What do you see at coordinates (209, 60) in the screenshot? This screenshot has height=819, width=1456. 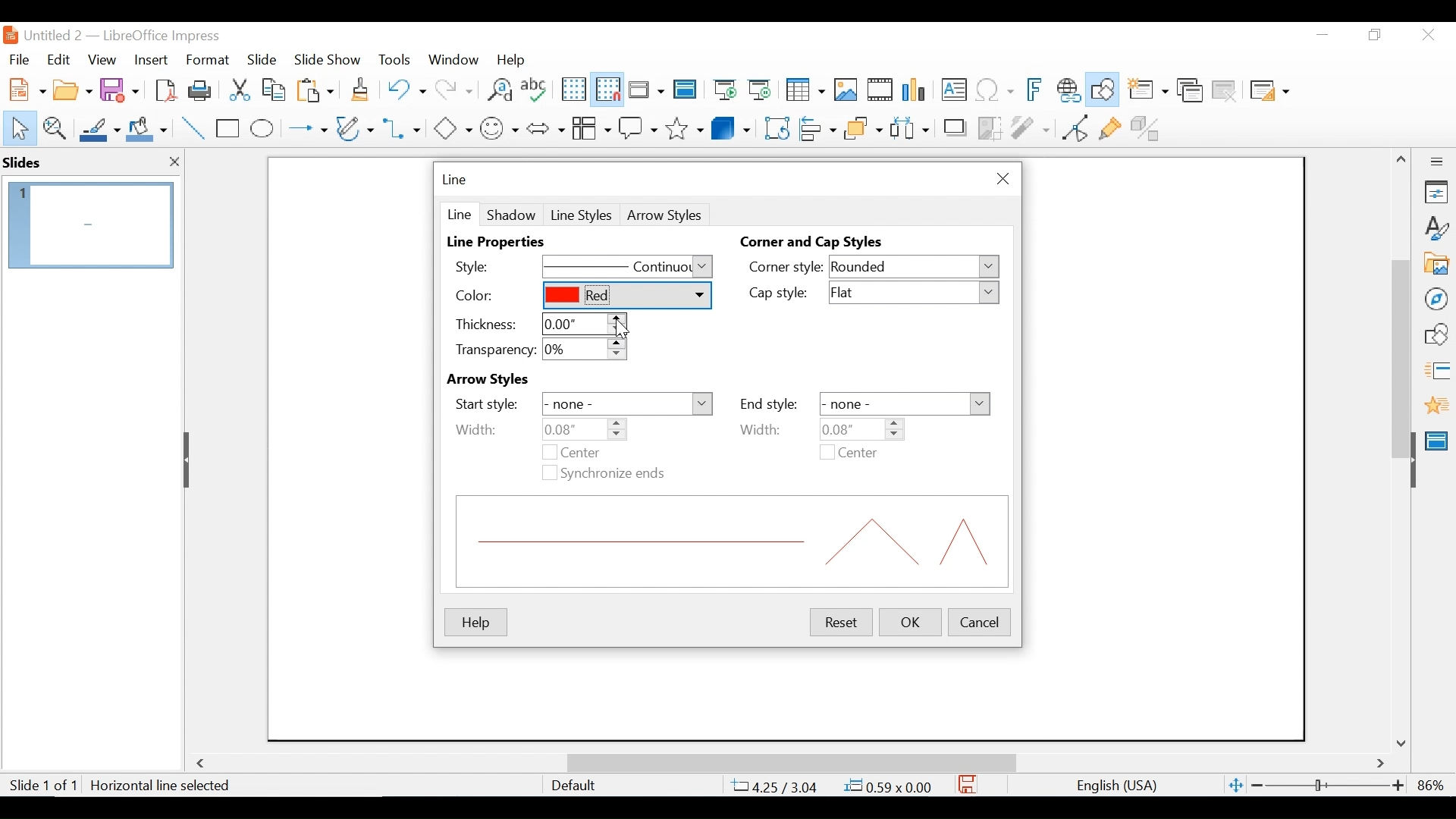 I see `Format` at bounding box center [209, 60].